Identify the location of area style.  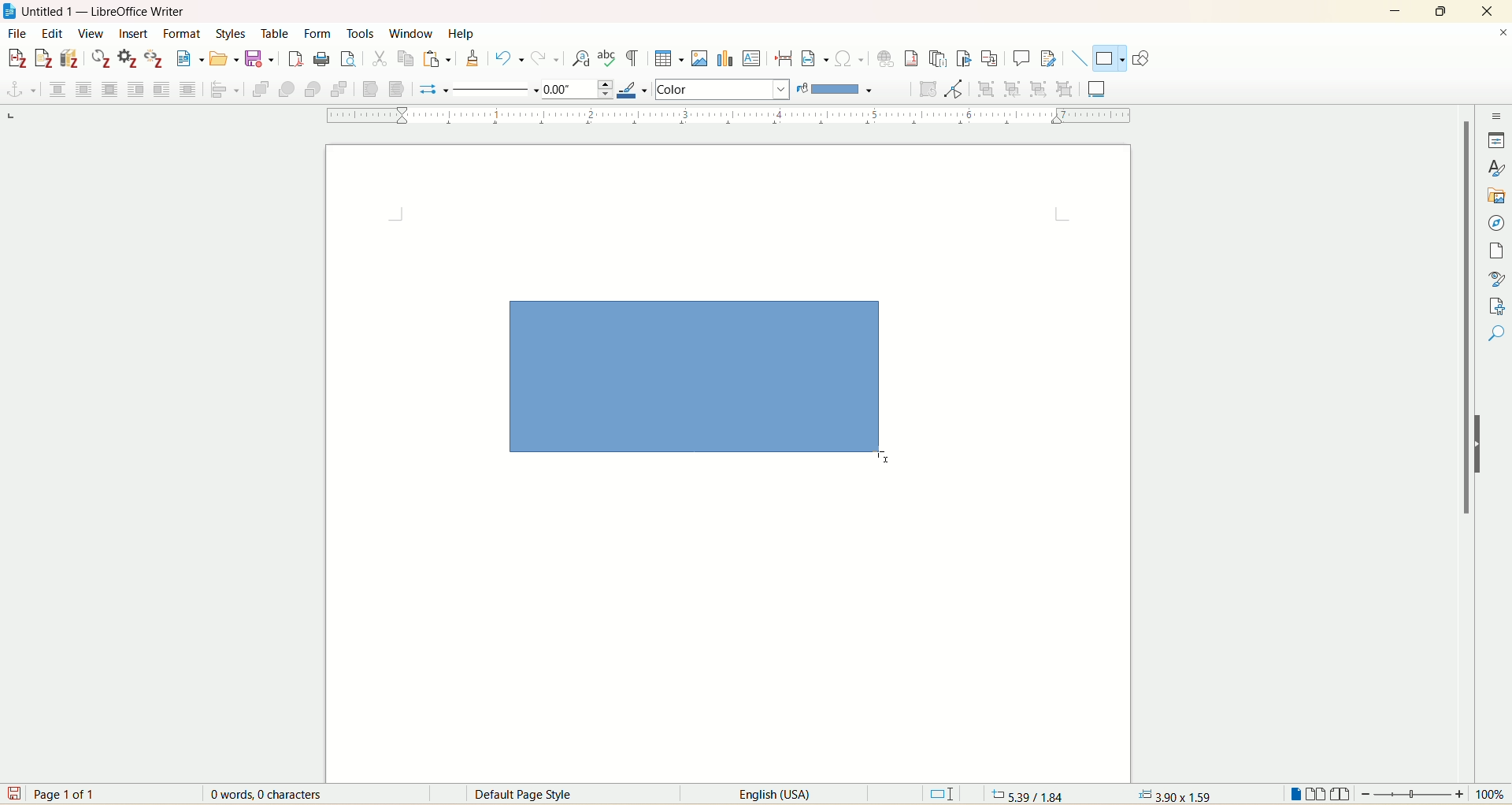
(722, 89).